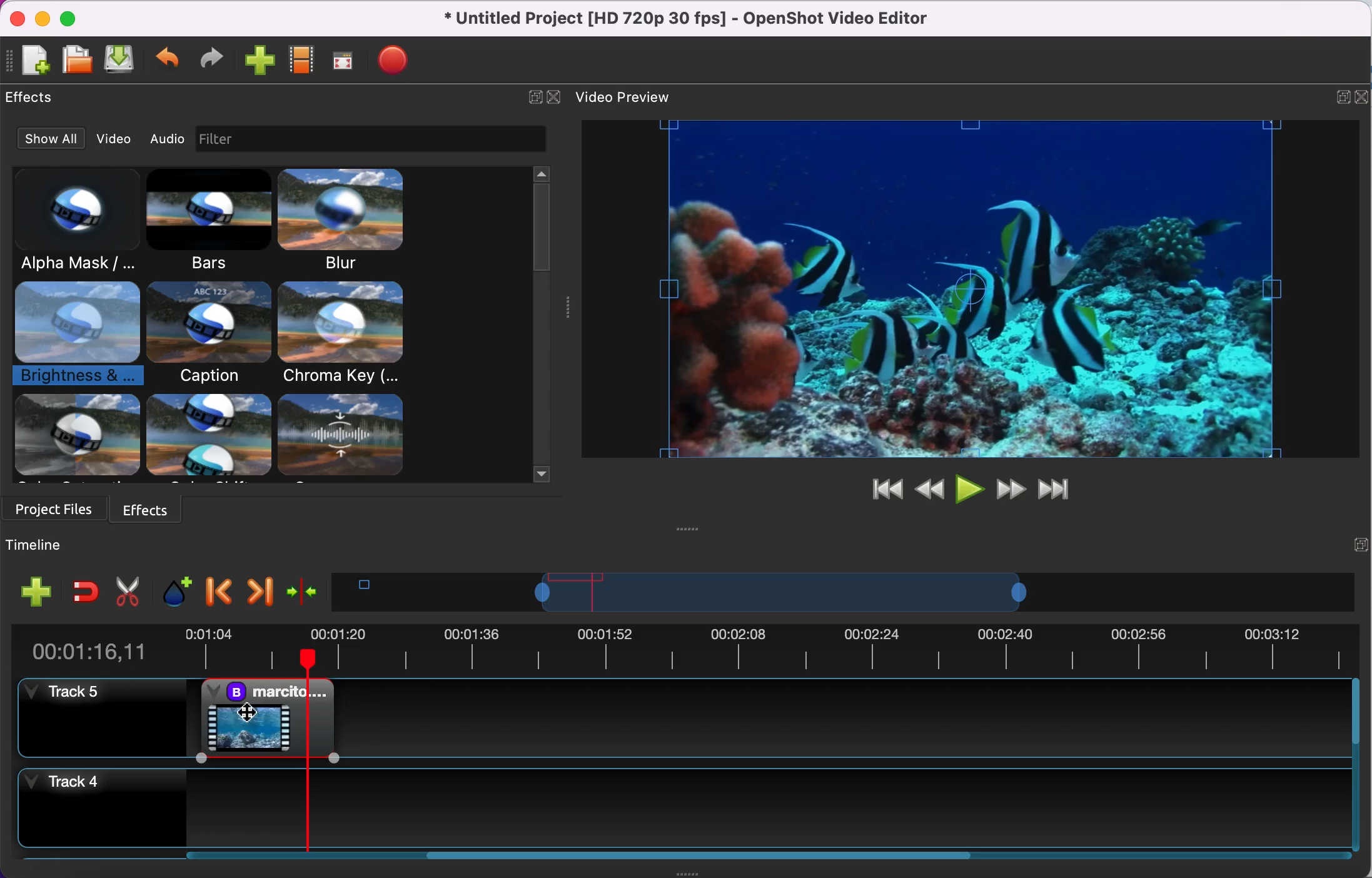 The width and height of the screenshot is (1372, 878). What do you see at coordinates (125, 590) in the screenshot?
I see `cut` at bounding box center [125, 590].